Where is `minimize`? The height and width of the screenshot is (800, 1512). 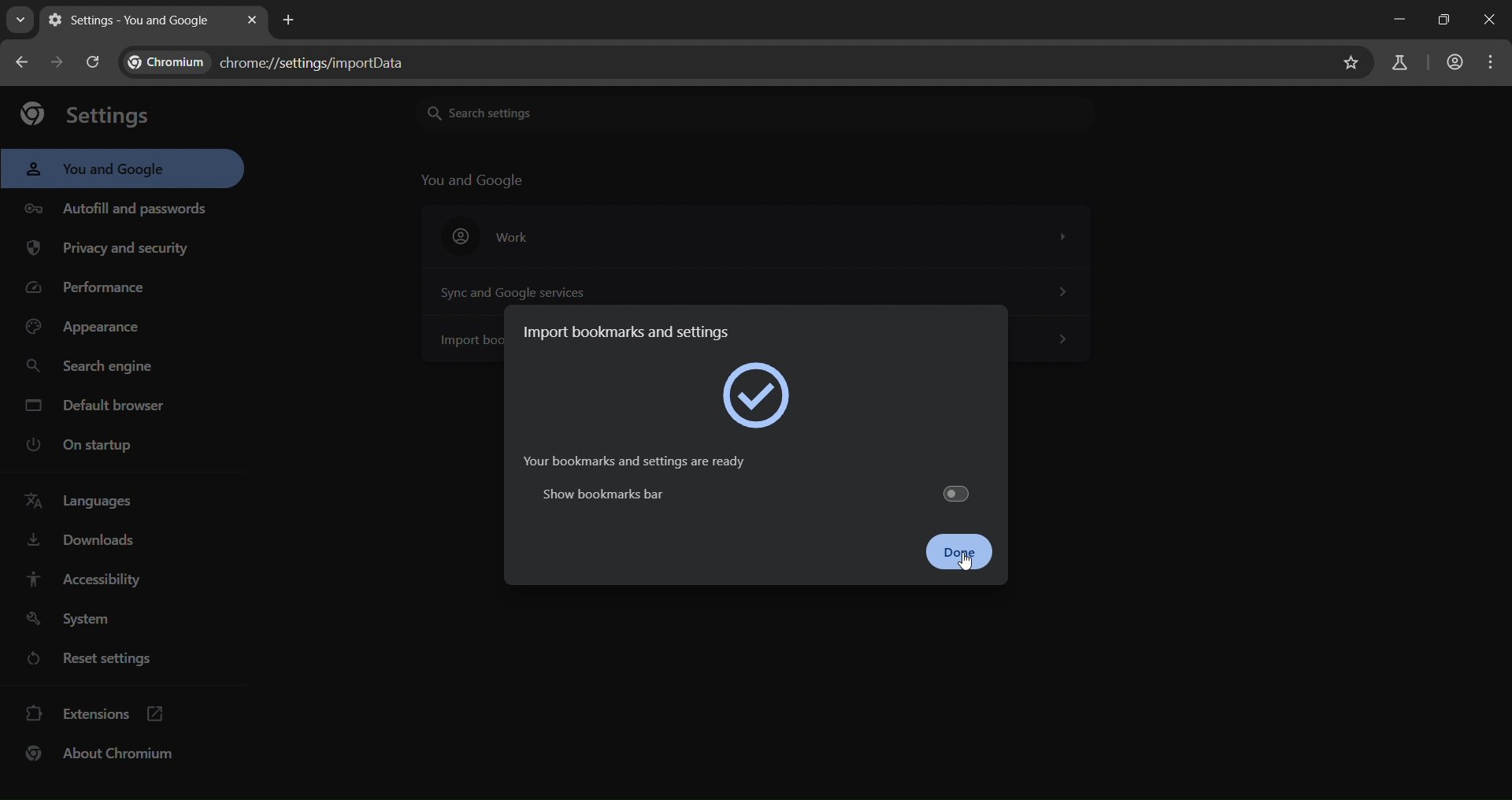
minimize is located at coordinates (1384, 22).